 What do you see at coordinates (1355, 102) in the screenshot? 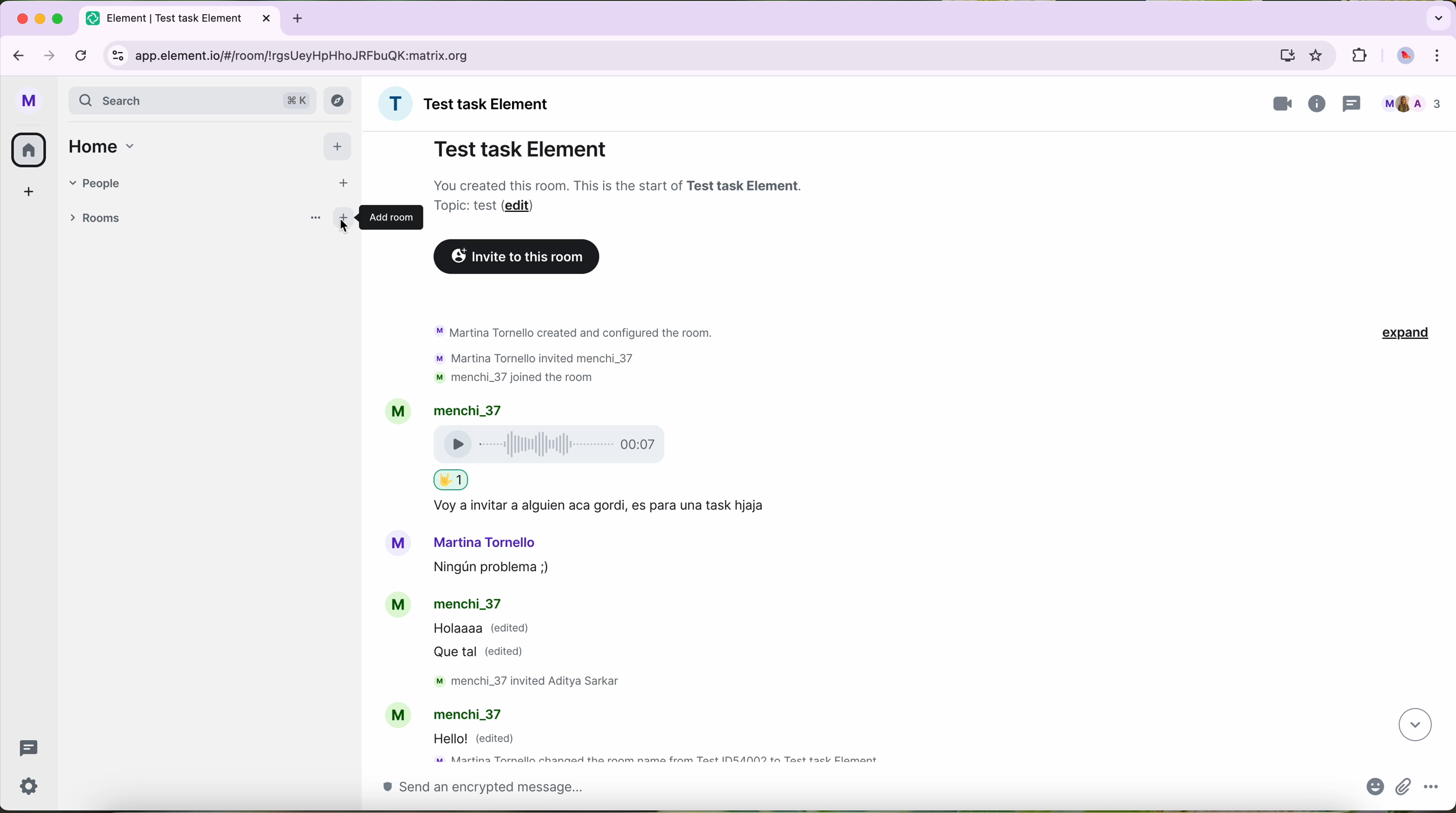
I see `threads` at bounding box center [1355, 102].